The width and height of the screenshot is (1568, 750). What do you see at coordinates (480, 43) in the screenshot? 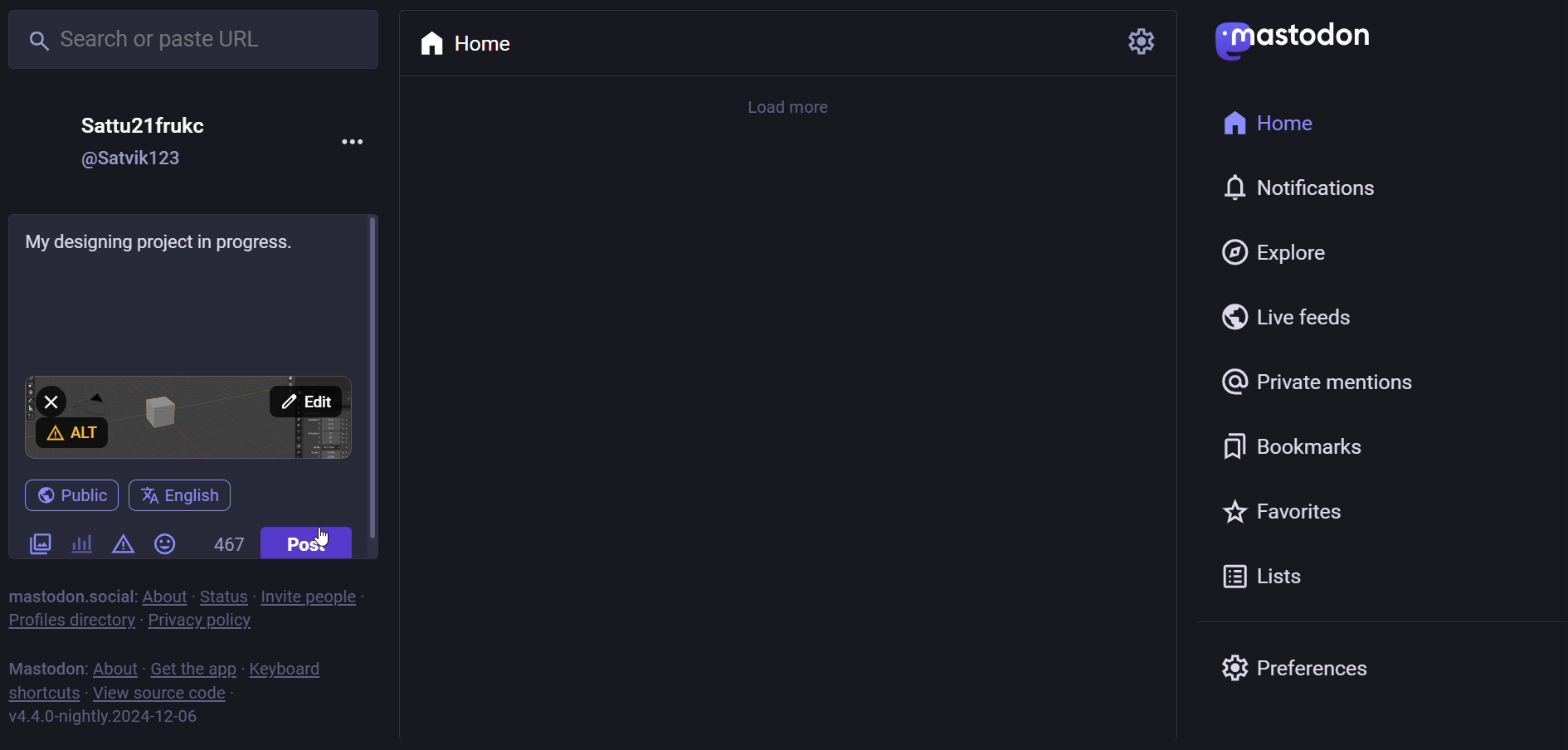
I see `home` at bounding box center [480, 43].